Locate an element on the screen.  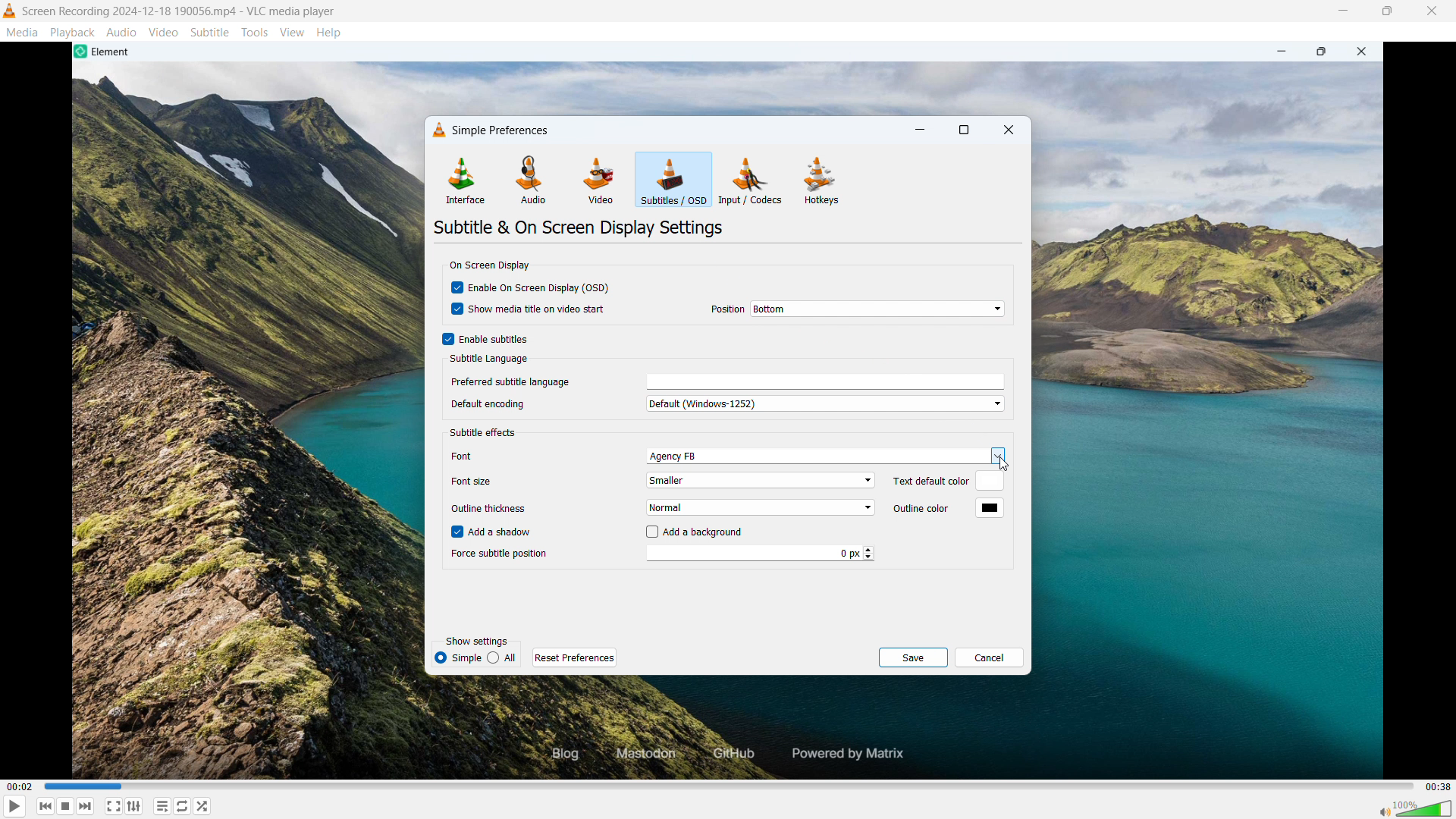
maximize is located at coordinates (1386, 11).